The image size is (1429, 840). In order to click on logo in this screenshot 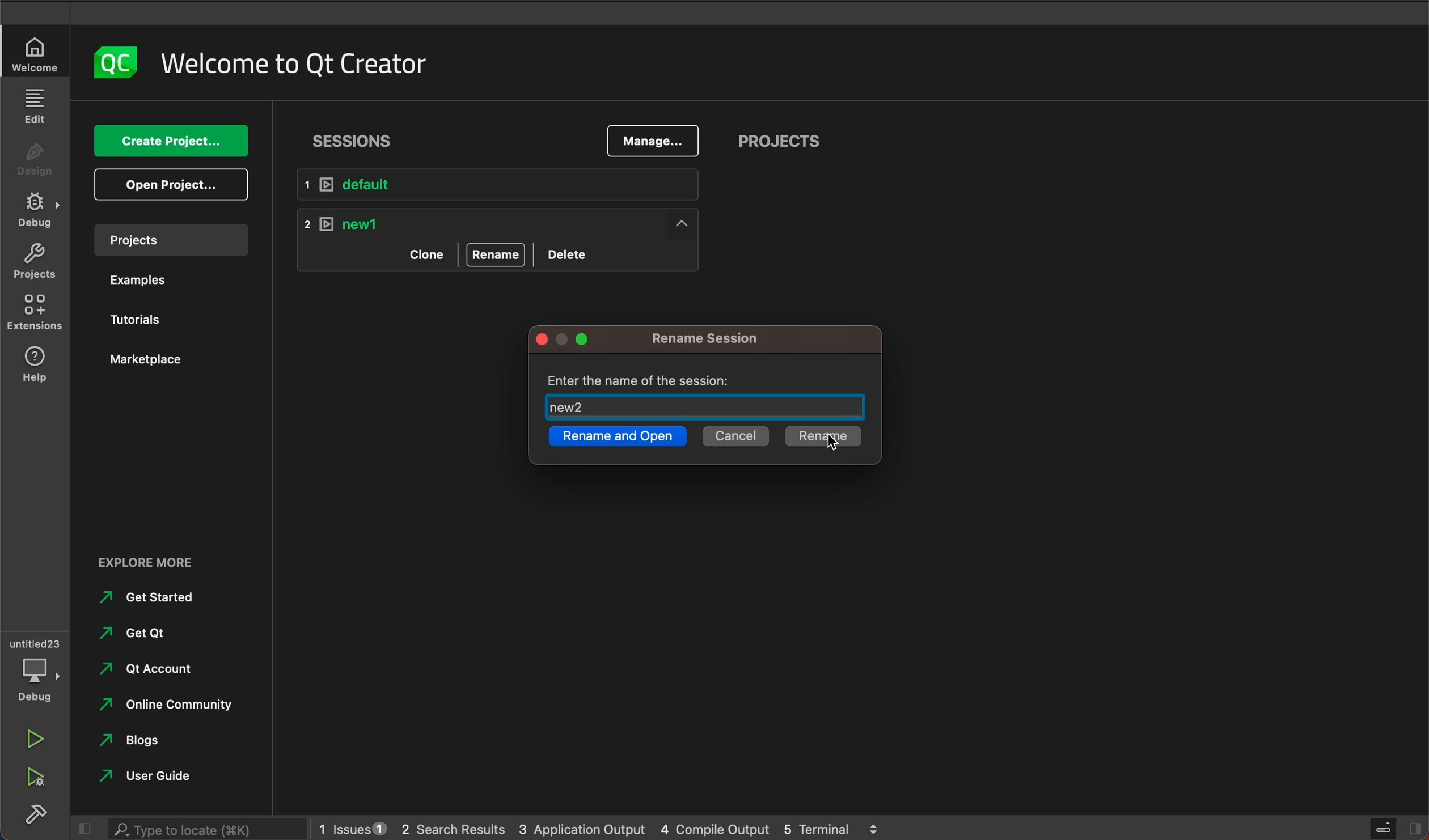, I will do `click(108, 63)`.